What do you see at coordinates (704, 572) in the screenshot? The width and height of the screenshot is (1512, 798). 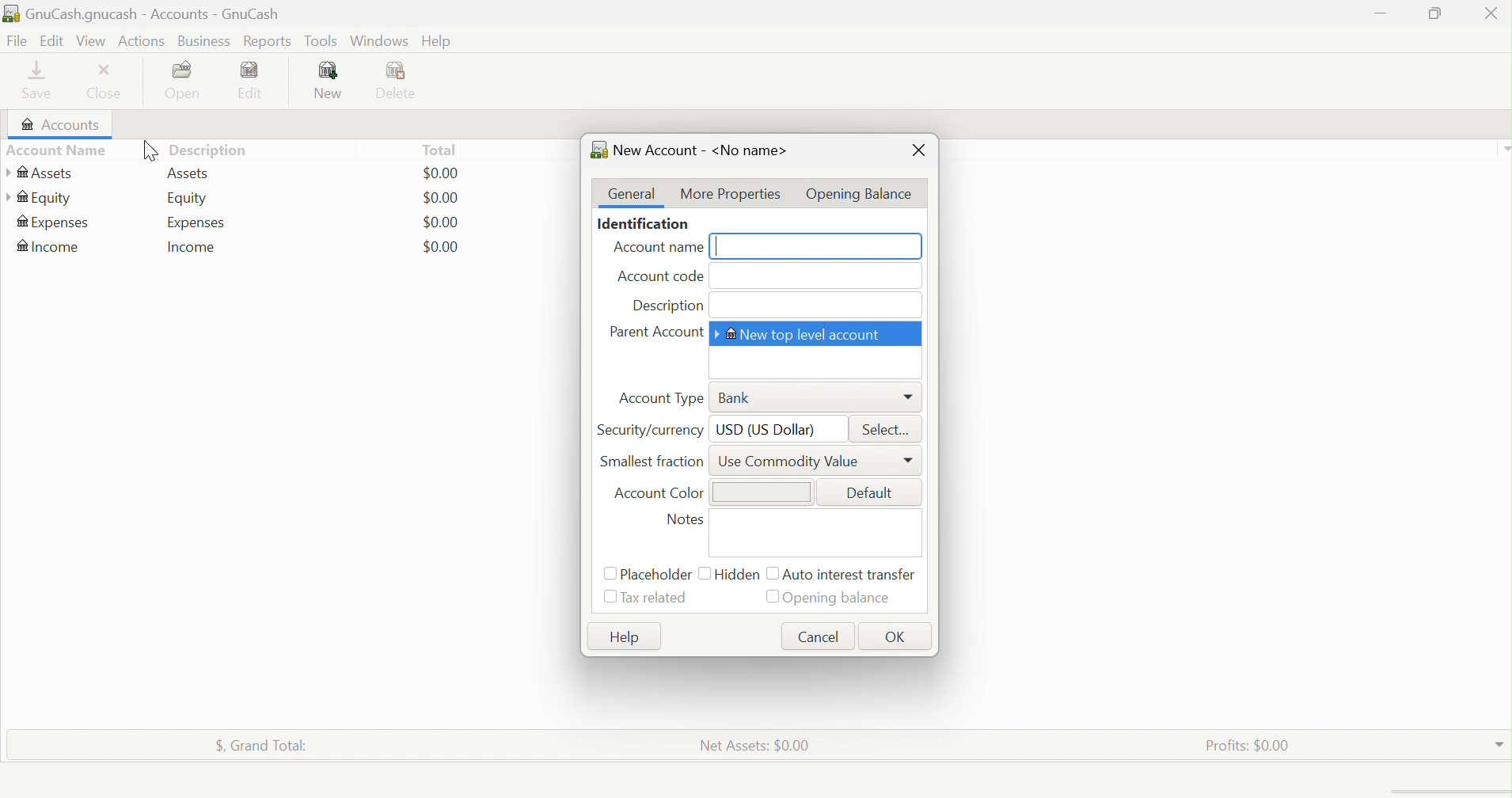 I see `Checkbox` at bounding box center [704, 572].